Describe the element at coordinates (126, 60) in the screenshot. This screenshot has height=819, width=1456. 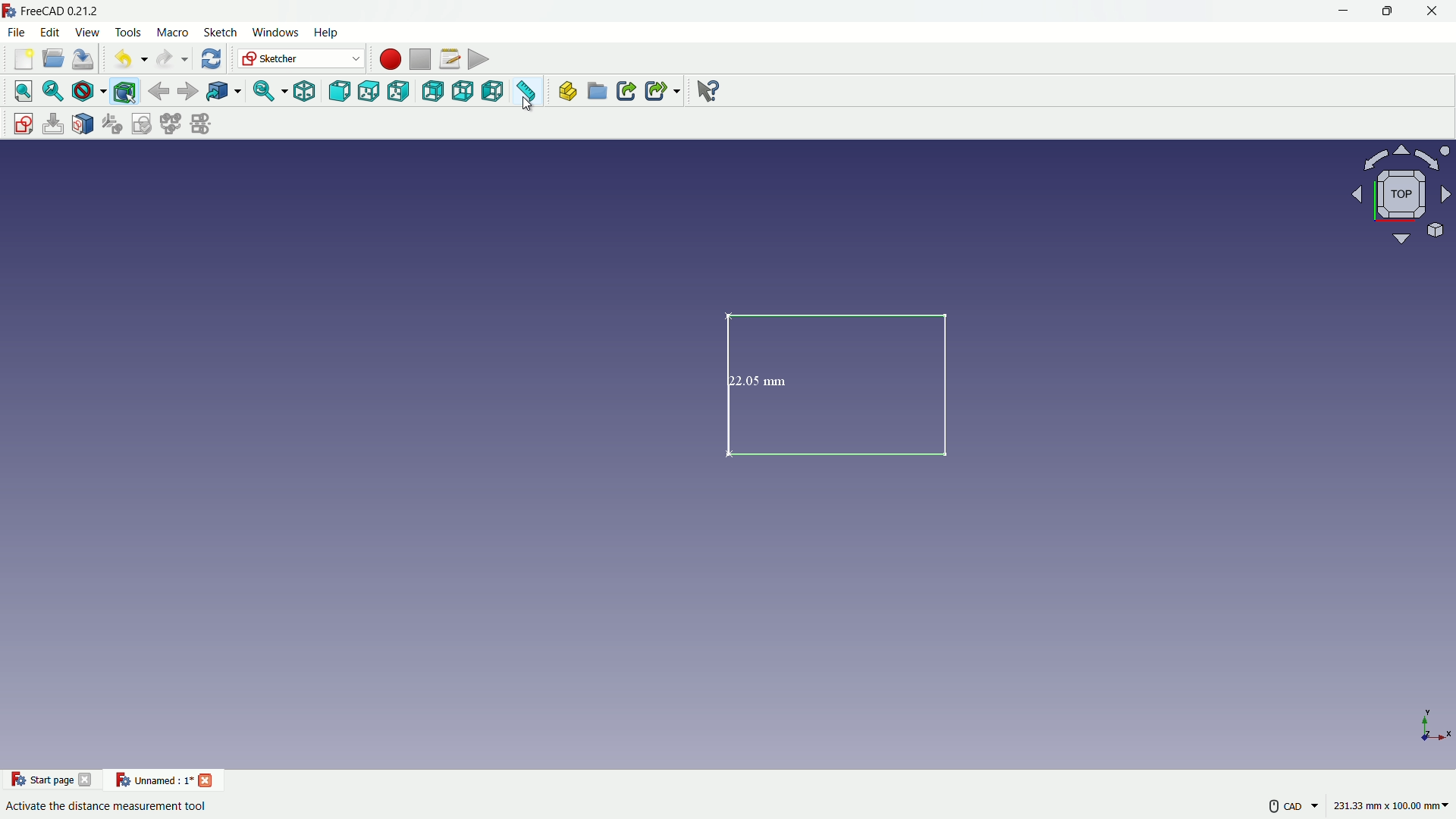
I see `undo` at that location.